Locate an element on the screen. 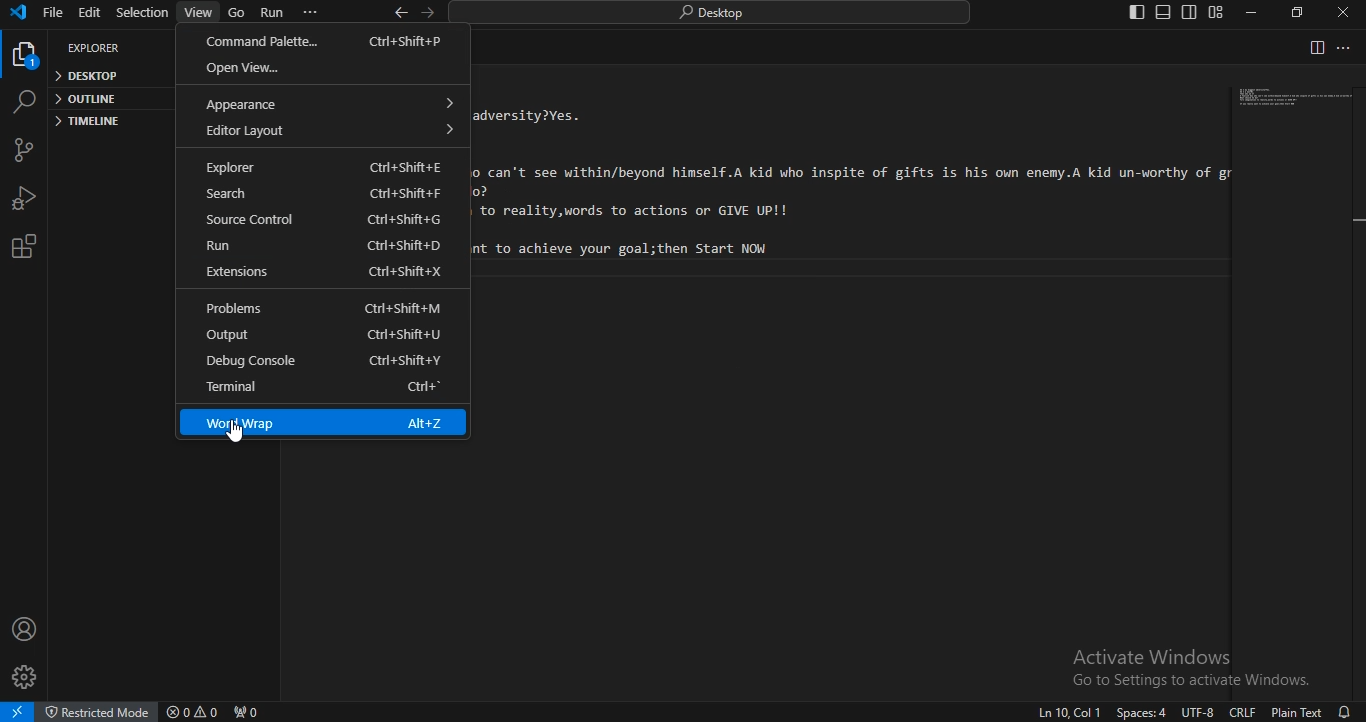 Image resolution: width=1366 pixels, height=722 pixels. toggle panel is located at coordinates (1163, 13).